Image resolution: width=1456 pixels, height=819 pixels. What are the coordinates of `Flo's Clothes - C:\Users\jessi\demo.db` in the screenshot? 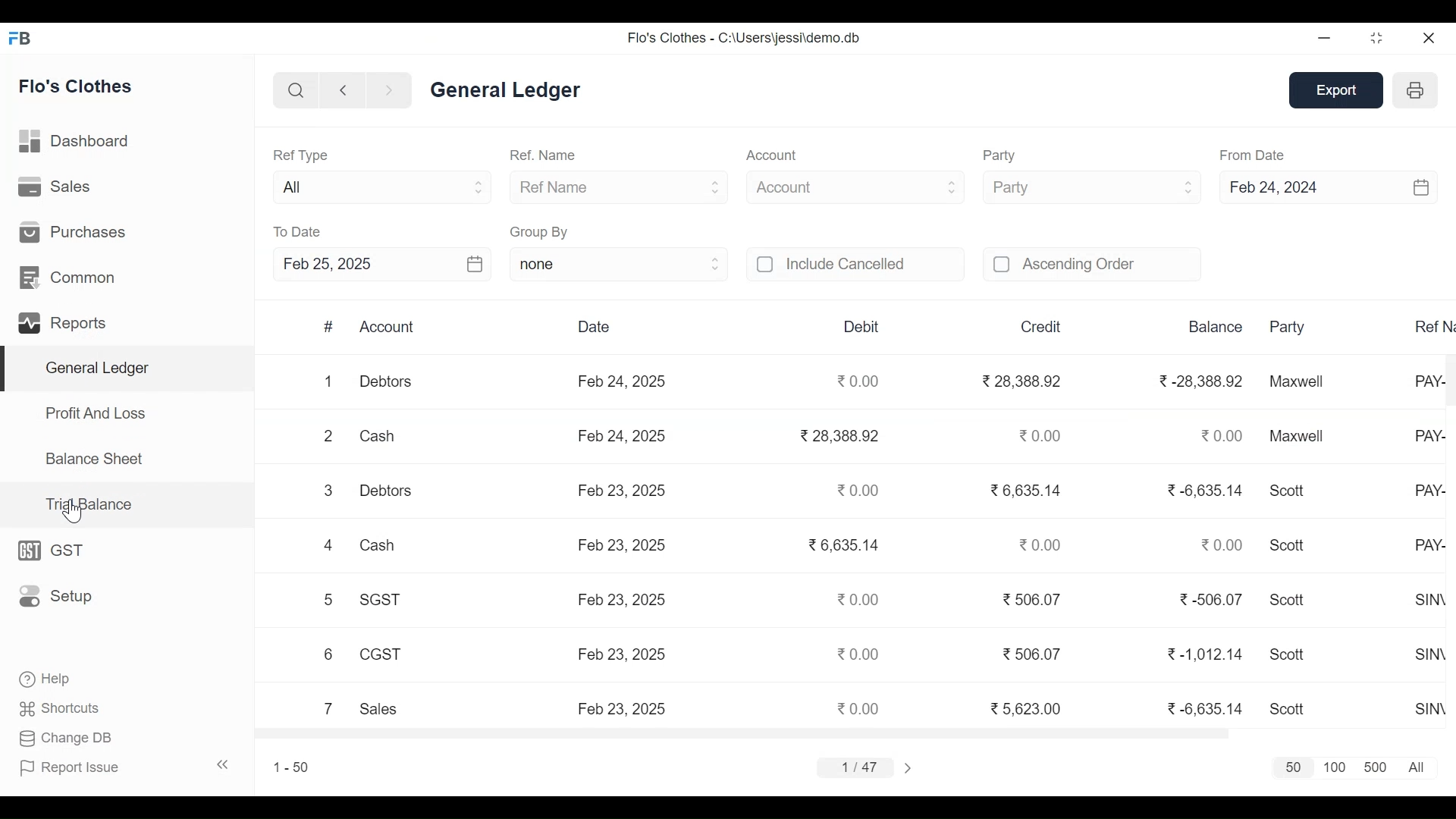 It's located at (744, 39).